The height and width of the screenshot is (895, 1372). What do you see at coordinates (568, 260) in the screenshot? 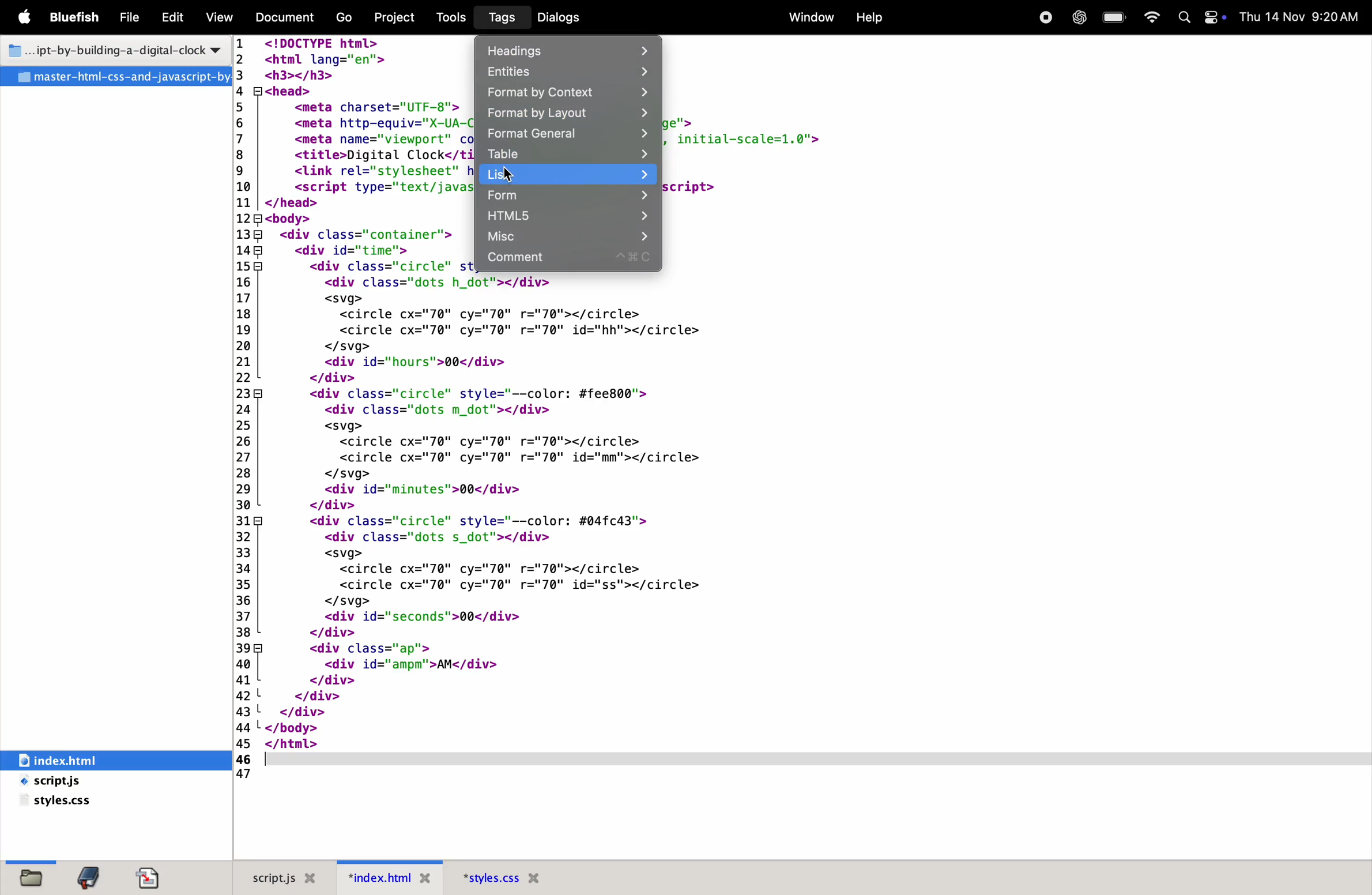
I see `Comment` at bounding box center [568, 260].